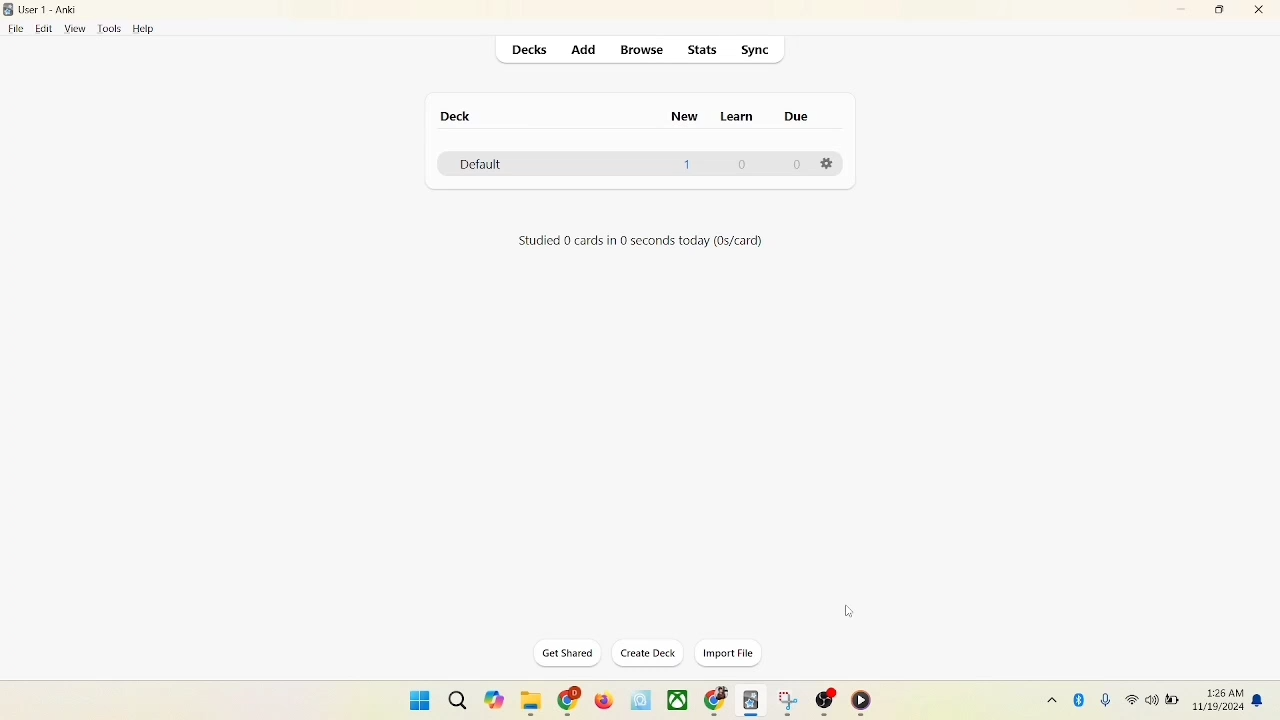 The height and width of the screenshot is (720, 1280). What do you see at coordinates (1080, 697) in the screenshot?
I see `Bluetooth` at bounding box center [1080, 697].